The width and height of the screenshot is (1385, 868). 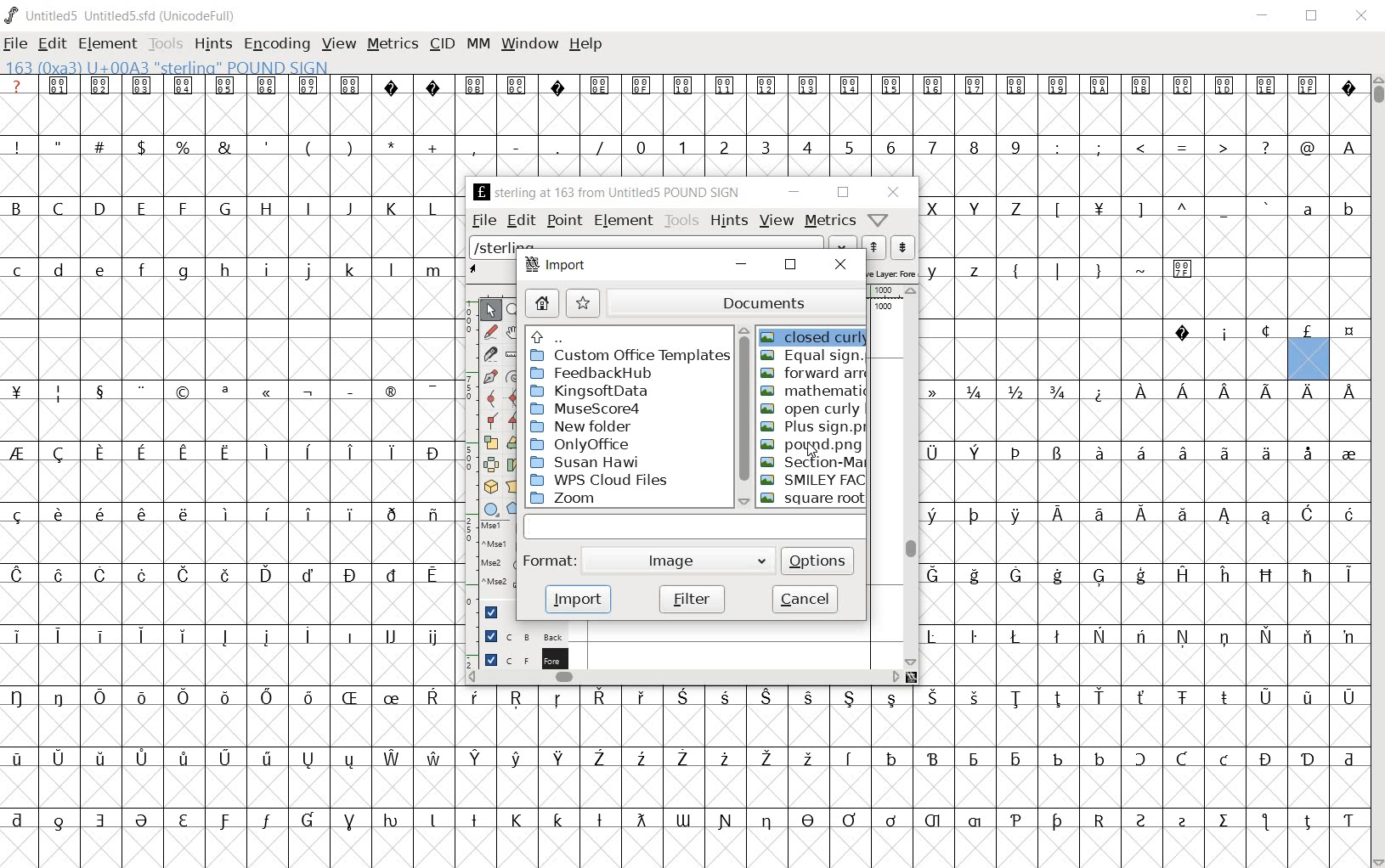 What do you see at coordinates (693, 600) in the screenshot?
I see `filter` at bounding box center [693, 600].